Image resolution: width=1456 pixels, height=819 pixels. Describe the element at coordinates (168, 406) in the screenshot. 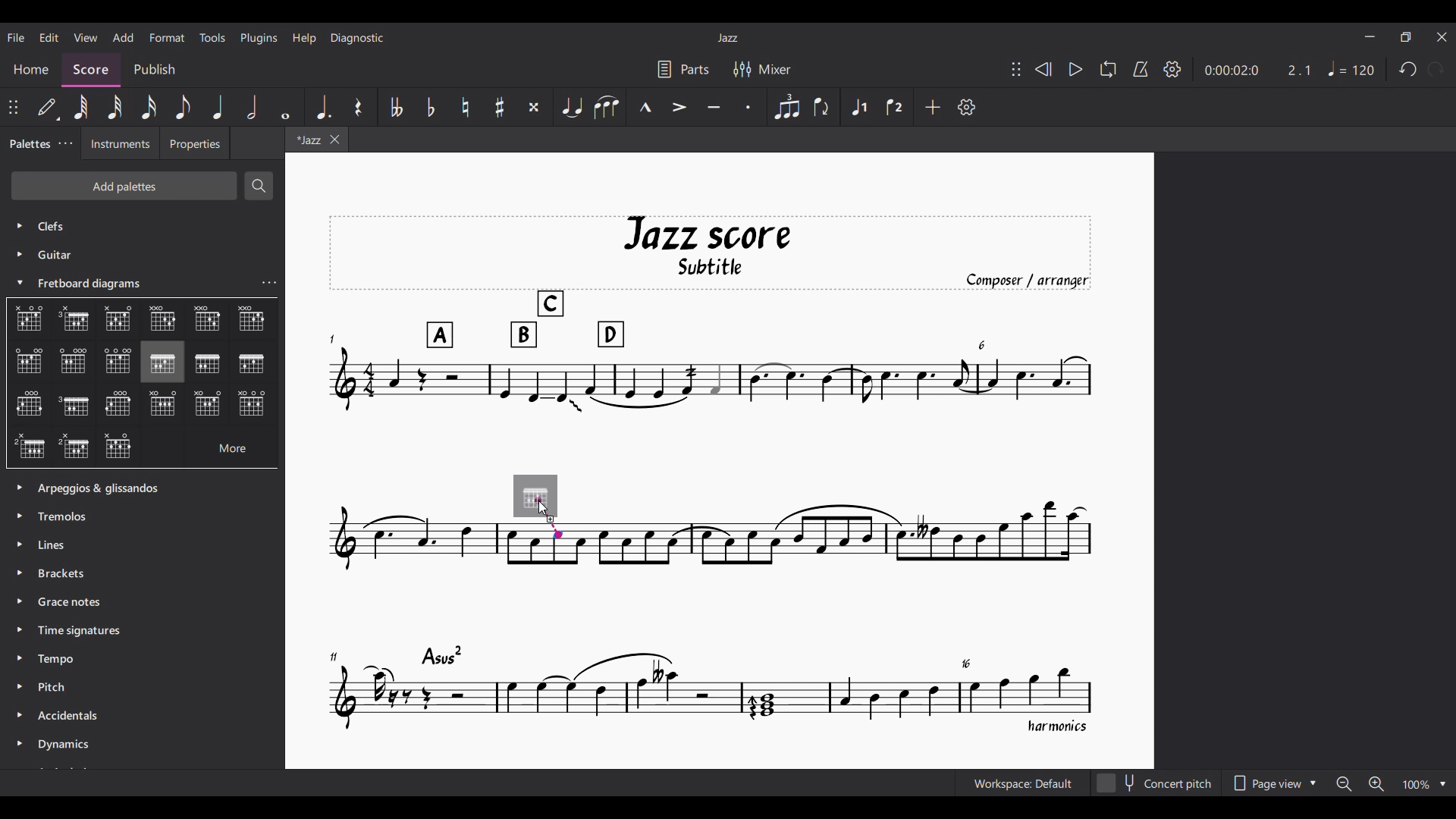

I see `Chart 15` at that location.